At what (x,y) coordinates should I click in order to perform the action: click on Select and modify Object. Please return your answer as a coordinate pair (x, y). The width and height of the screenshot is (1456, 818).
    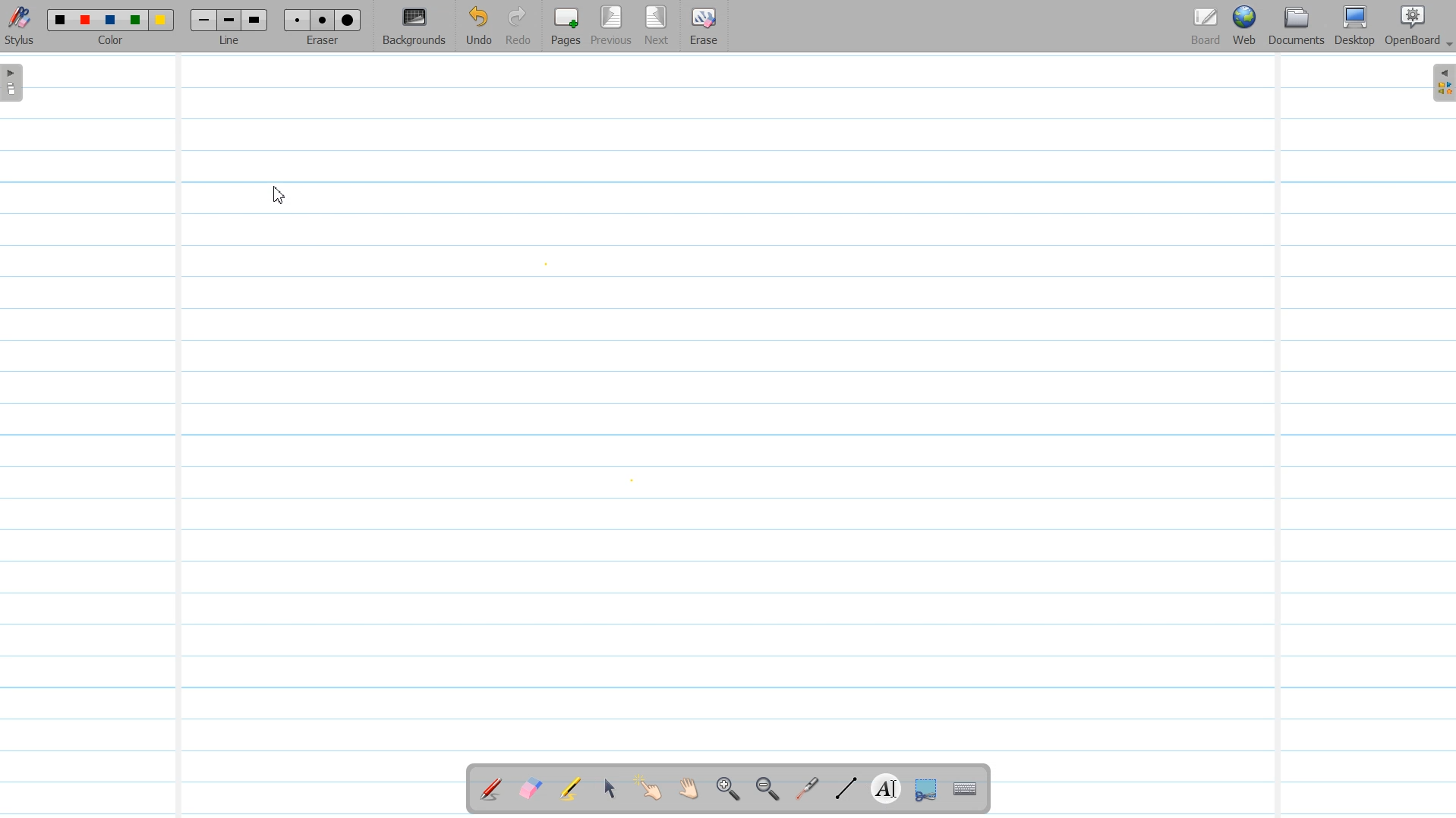
    Looking at the image, I should click on (610, 788).